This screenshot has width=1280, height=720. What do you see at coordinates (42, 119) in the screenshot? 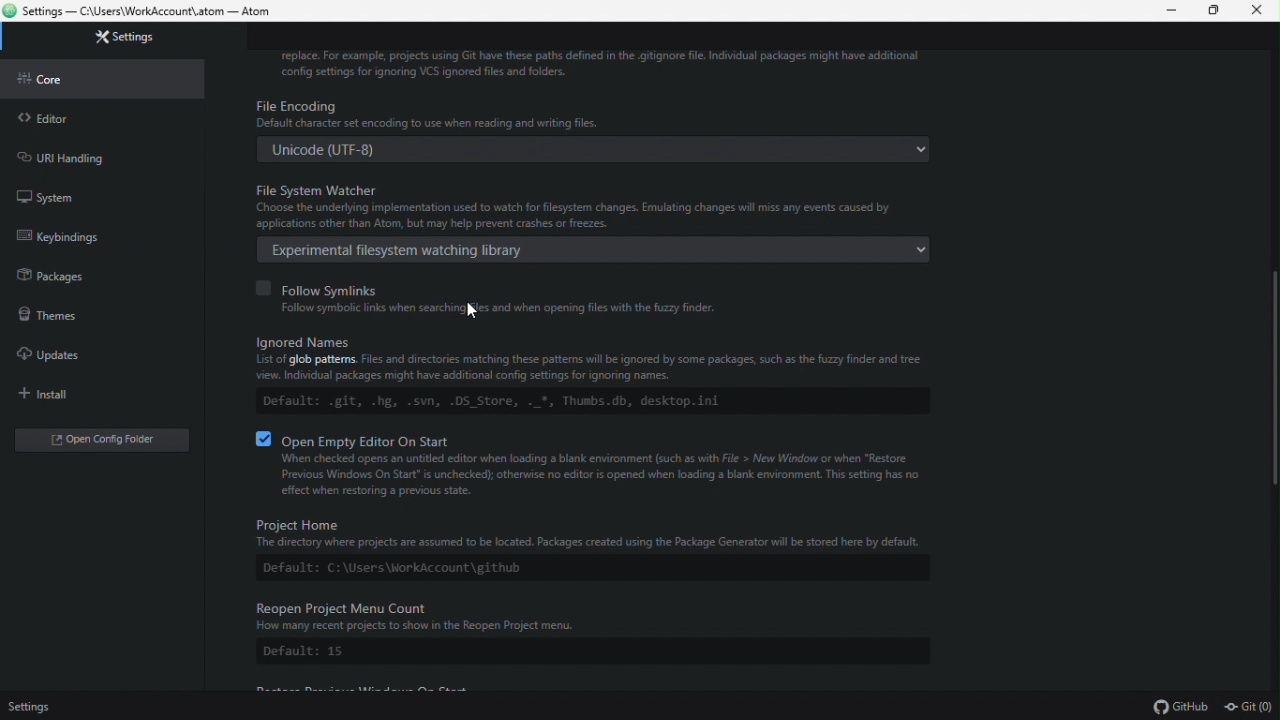
I see `Editor` at bounding box center [42, 119].